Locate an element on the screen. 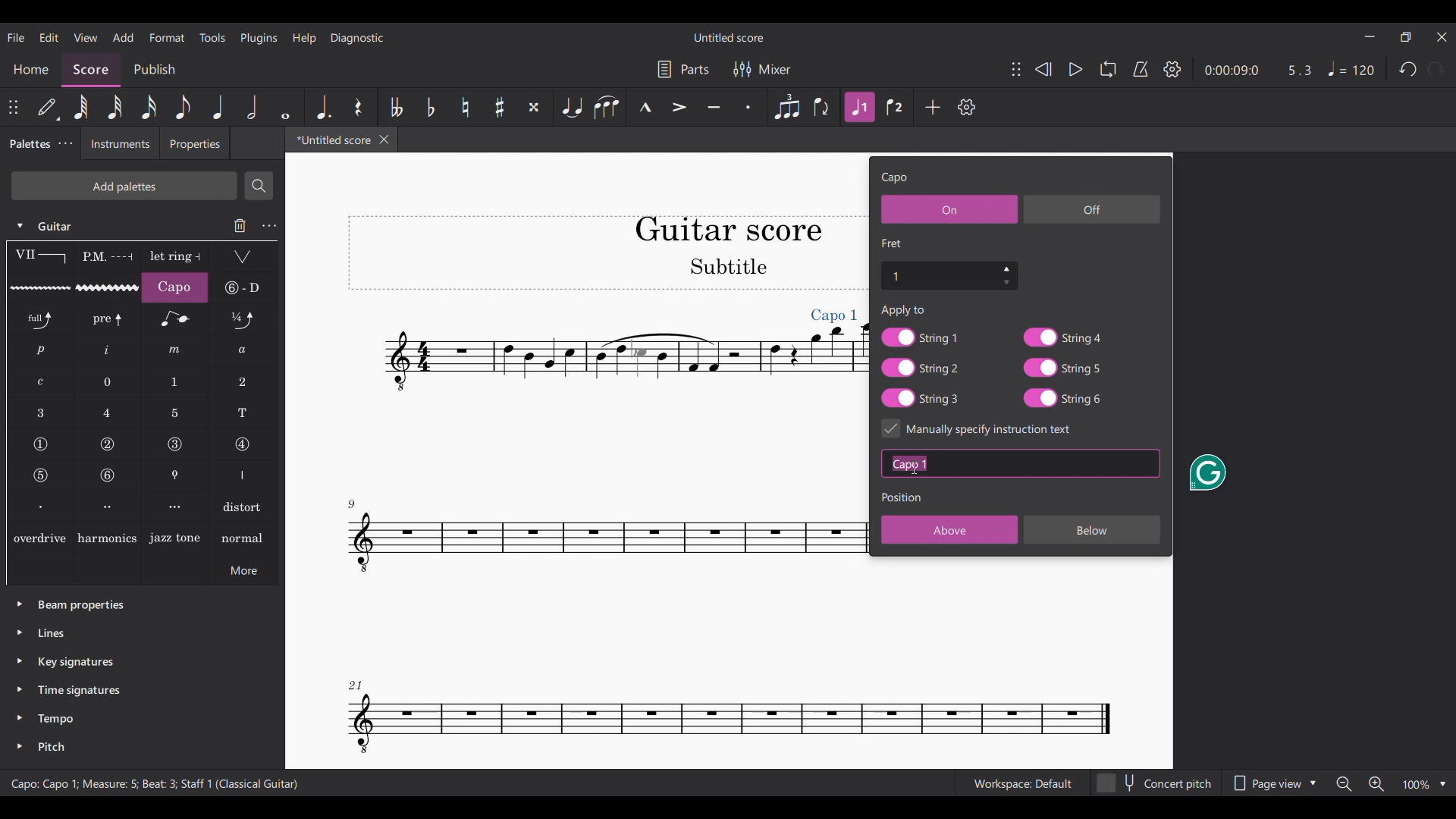 Image resolution: width=1456 pixels, height=819 pixels. Section title is located at coordinates (902, 496).